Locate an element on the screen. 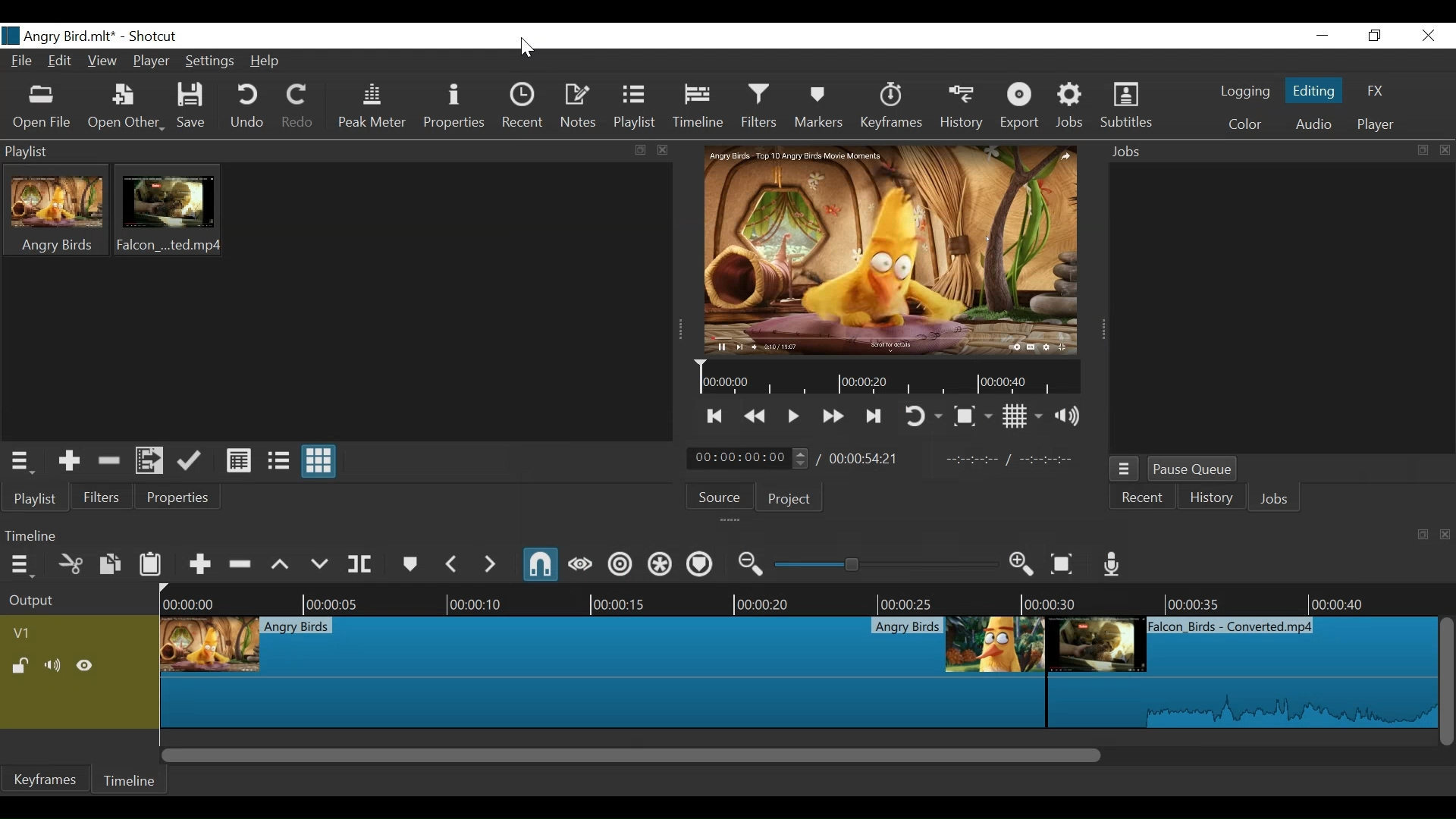 This screenshot has height=819, width=1456. Clip is located at coordinates (891, 249).